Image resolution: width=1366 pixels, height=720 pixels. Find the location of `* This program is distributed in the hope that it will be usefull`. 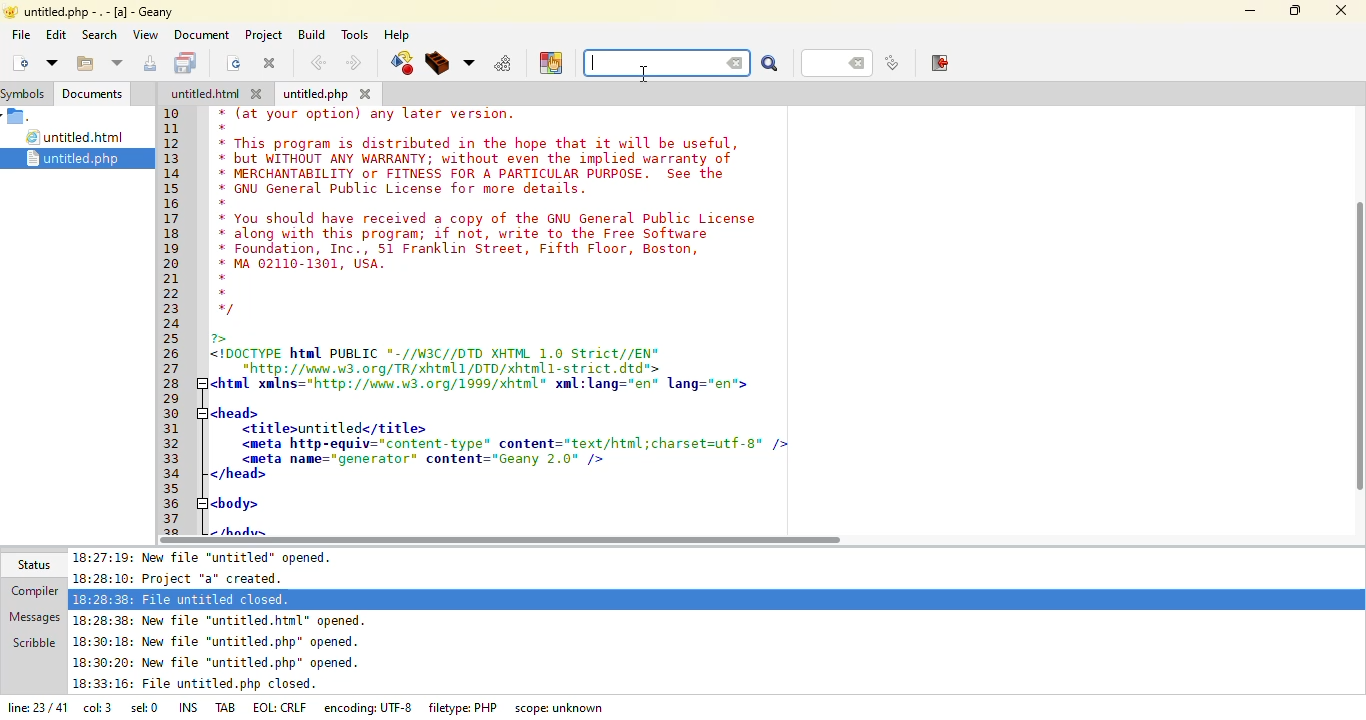

* This program is distributed in the hope that it will be usefull is located at coordinates (476, 143).